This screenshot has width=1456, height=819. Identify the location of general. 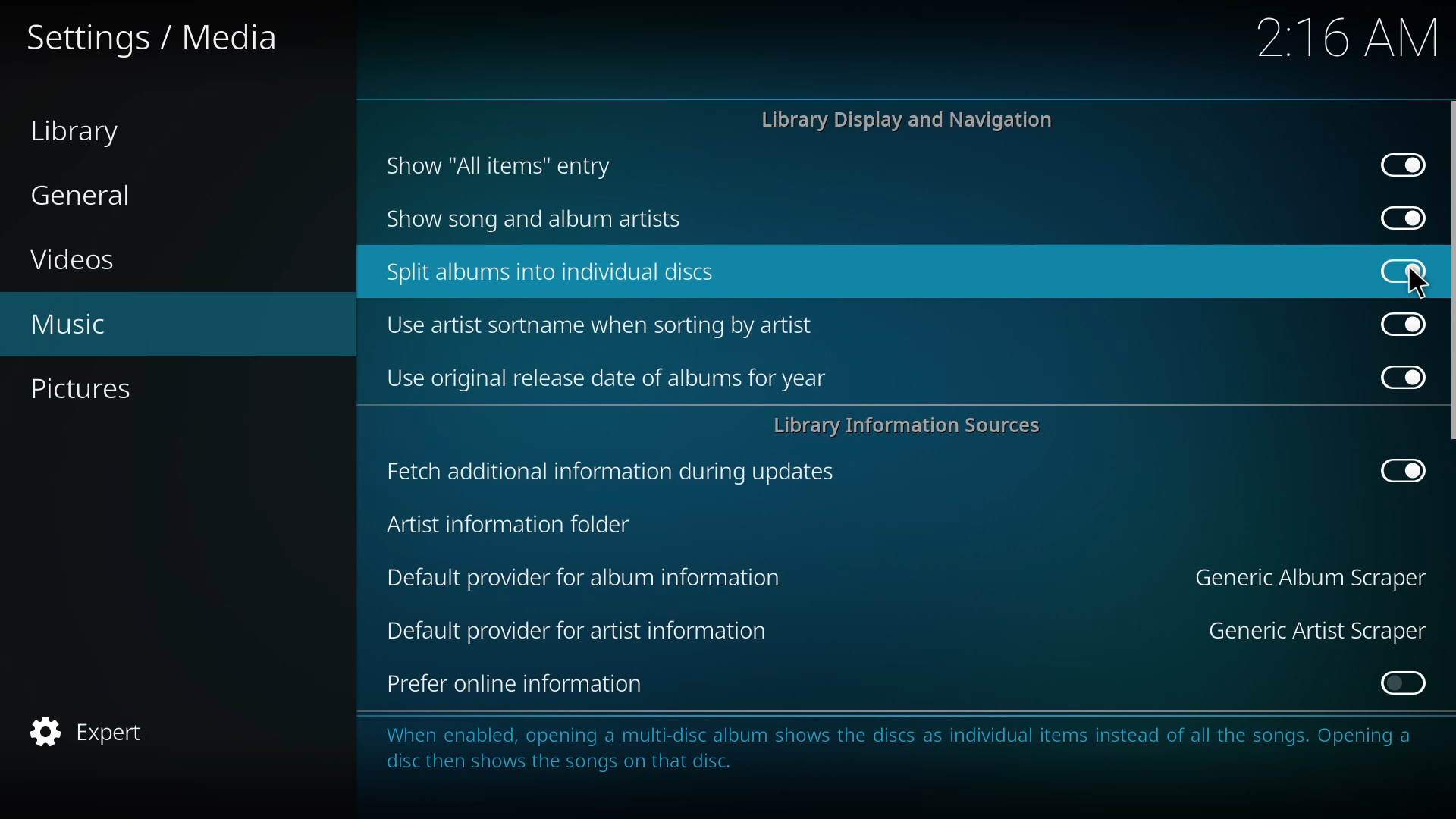
(89, 195).